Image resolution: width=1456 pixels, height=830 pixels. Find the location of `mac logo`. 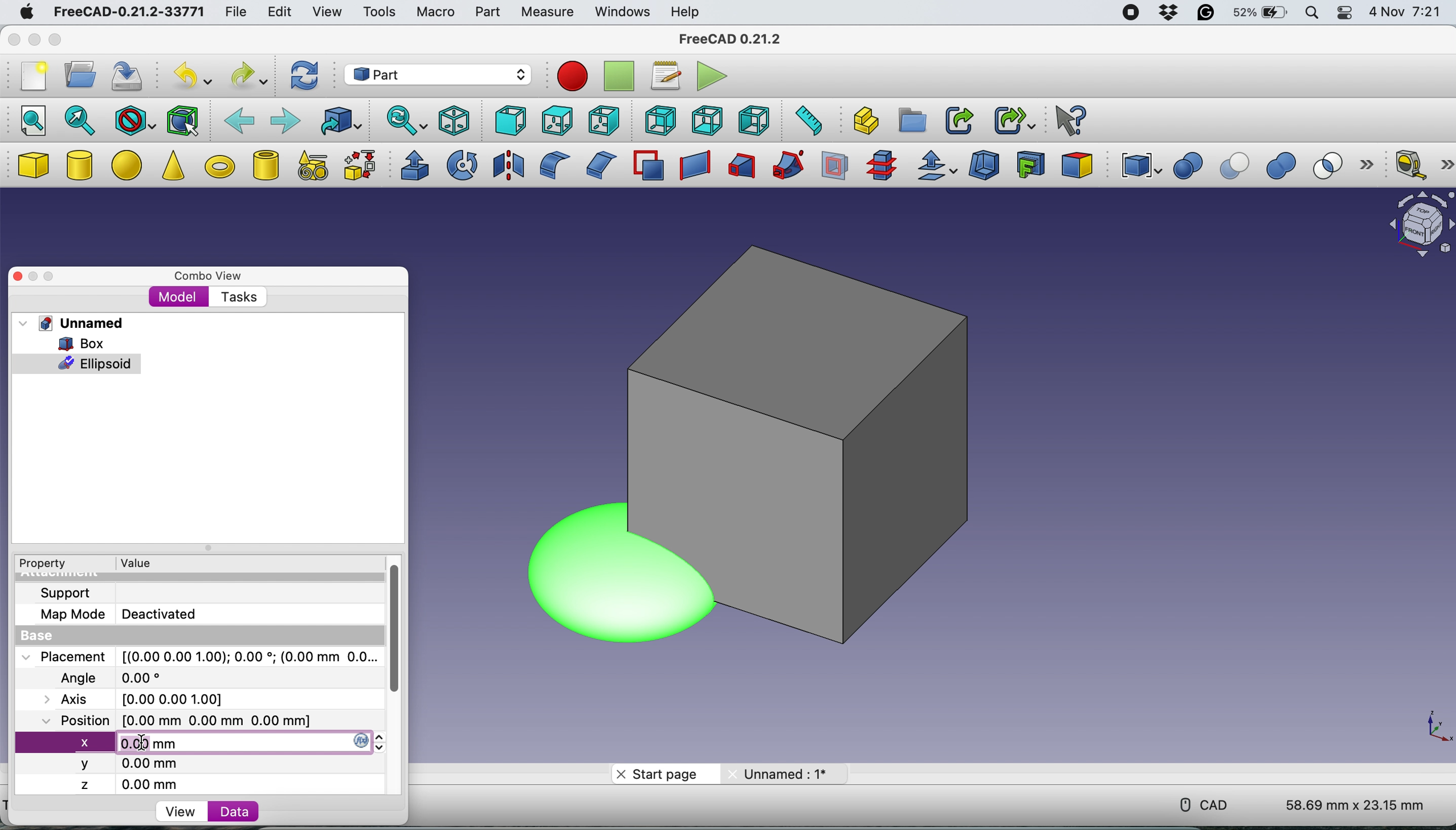

mac logo is located at coordinates (24, 13).